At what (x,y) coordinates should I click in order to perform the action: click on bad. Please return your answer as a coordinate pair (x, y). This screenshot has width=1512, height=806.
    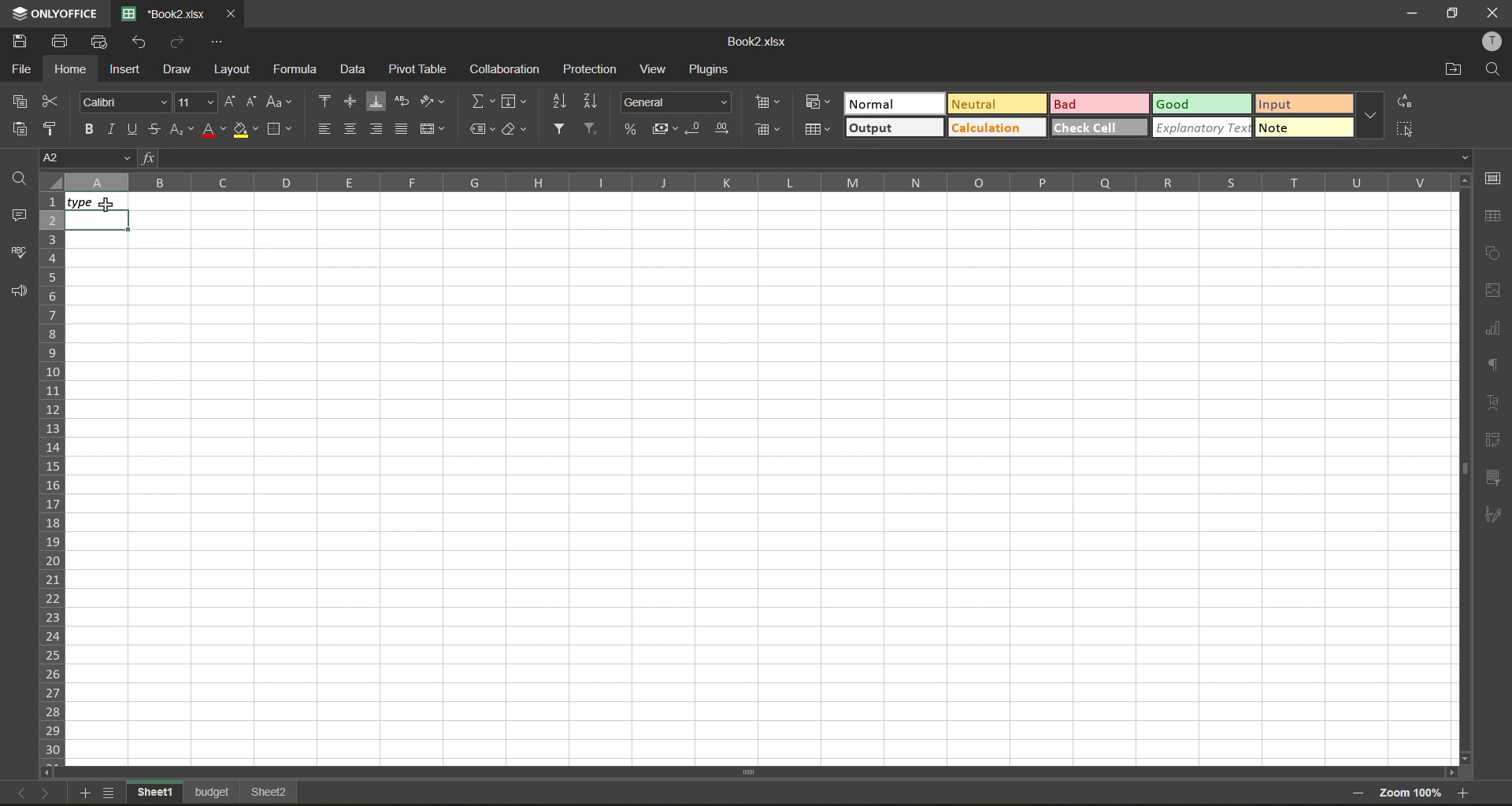
    Looking at the image, I should click on (1103, 104).